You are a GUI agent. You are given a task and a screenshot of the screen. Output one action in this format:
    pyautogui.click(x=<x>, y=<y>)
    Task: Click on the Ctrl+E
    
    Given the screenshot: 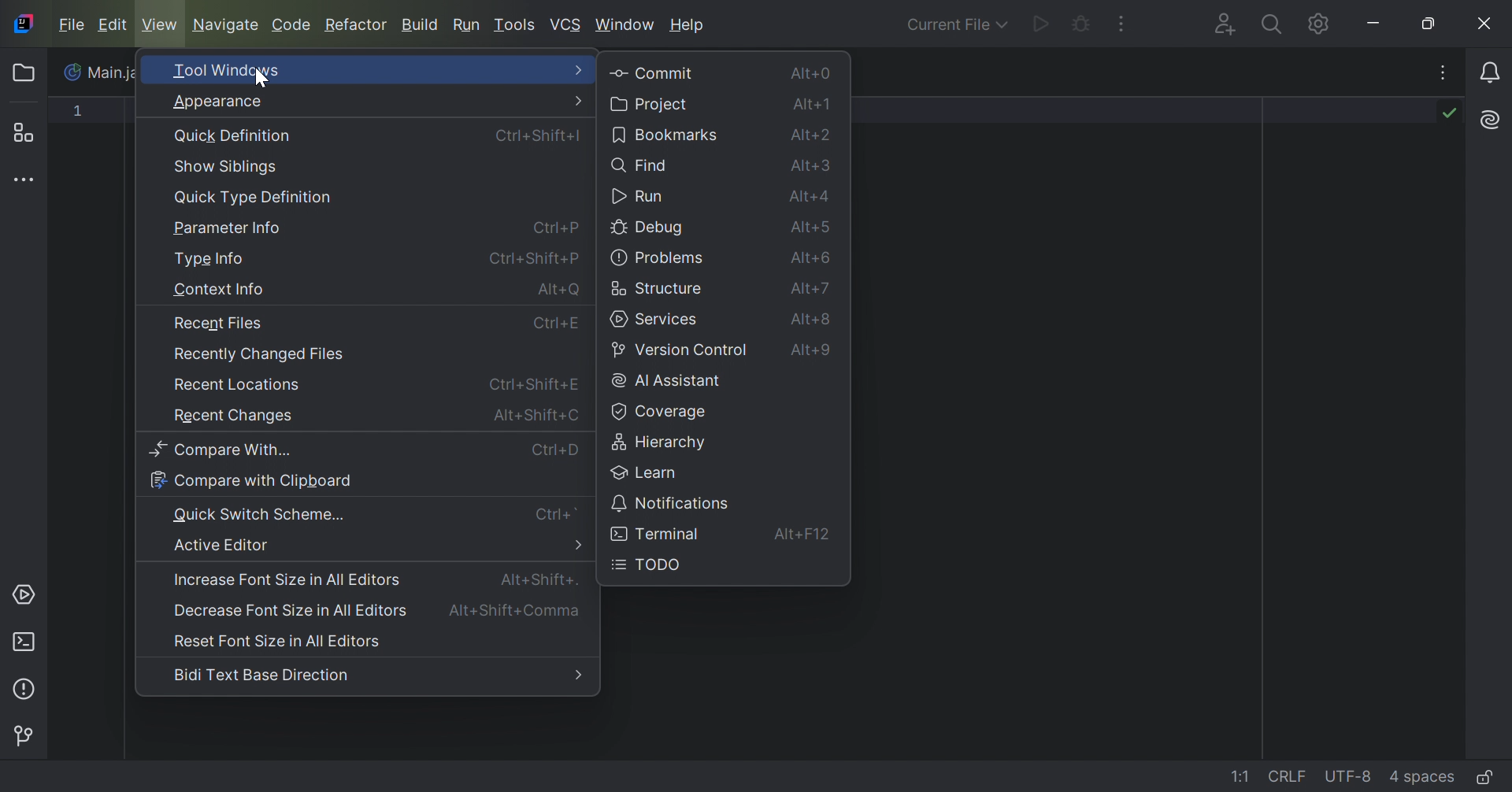 What is the action you would take?
    pyautogui.click(x=557, y=325)
    